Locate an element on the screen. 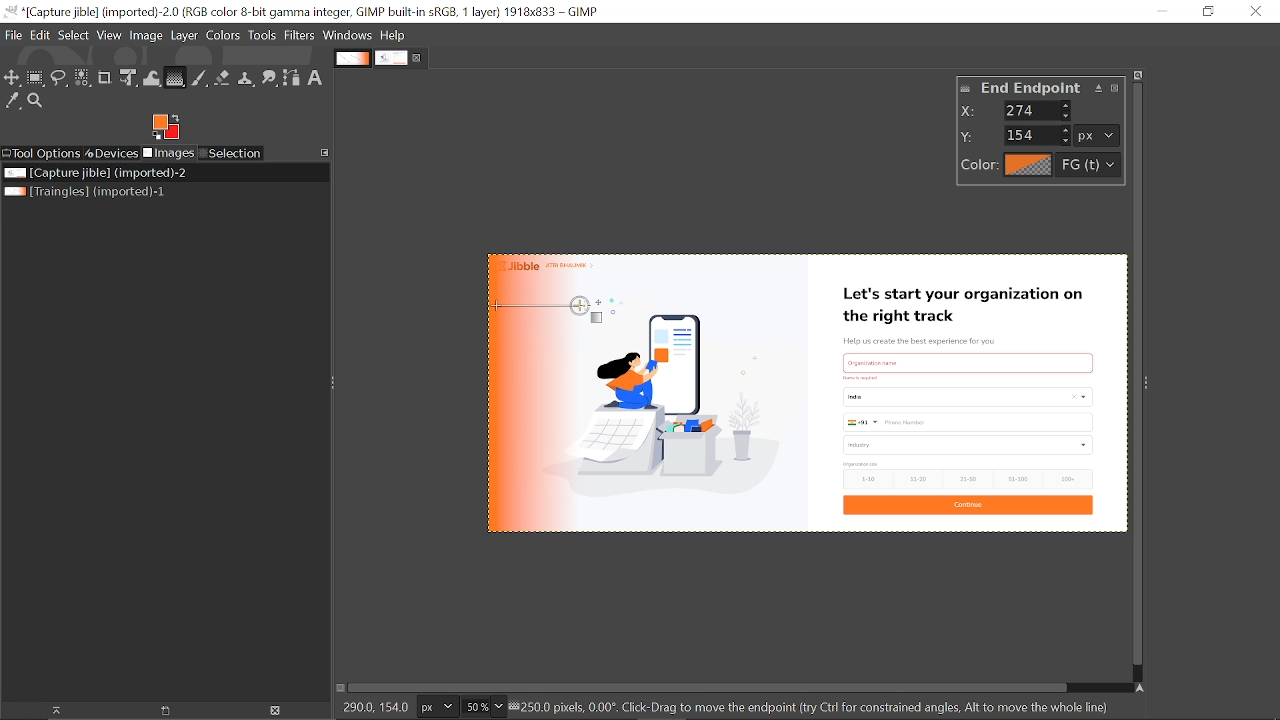  Gradient tool is located at coordinates (175, 77).